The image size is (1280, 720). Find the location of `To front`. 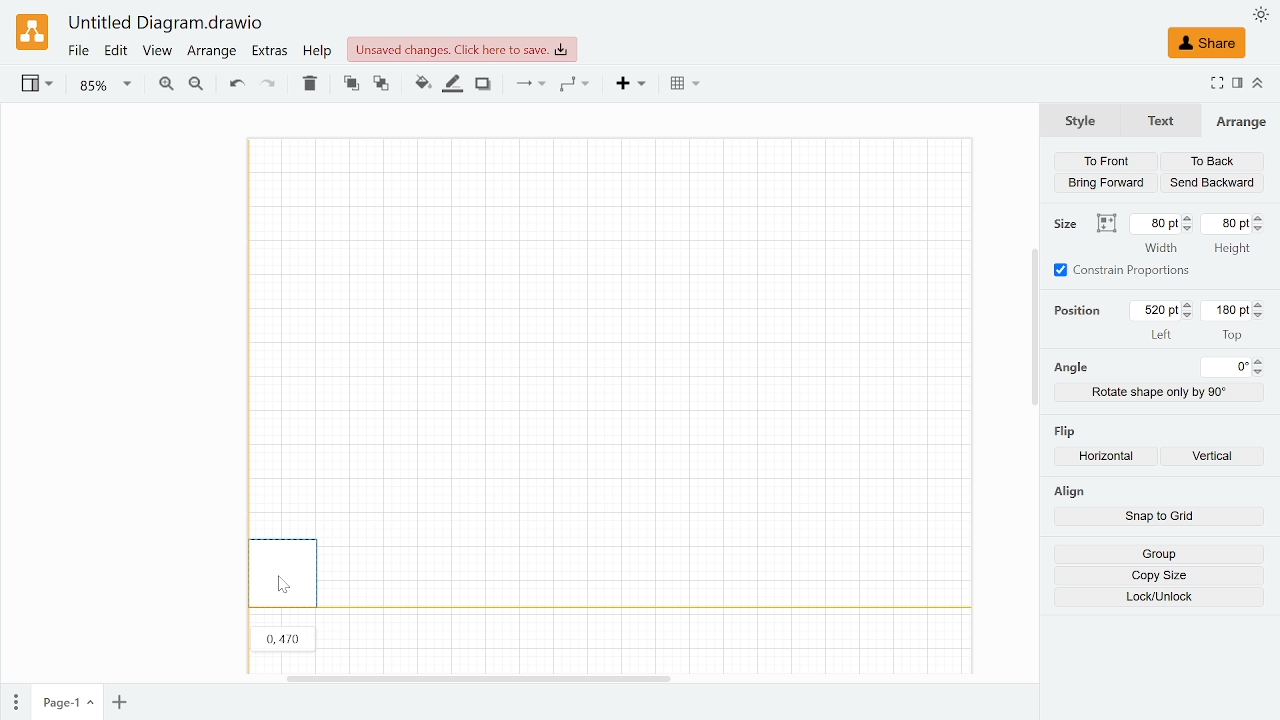

To front is located at coordinates (1105, 161).